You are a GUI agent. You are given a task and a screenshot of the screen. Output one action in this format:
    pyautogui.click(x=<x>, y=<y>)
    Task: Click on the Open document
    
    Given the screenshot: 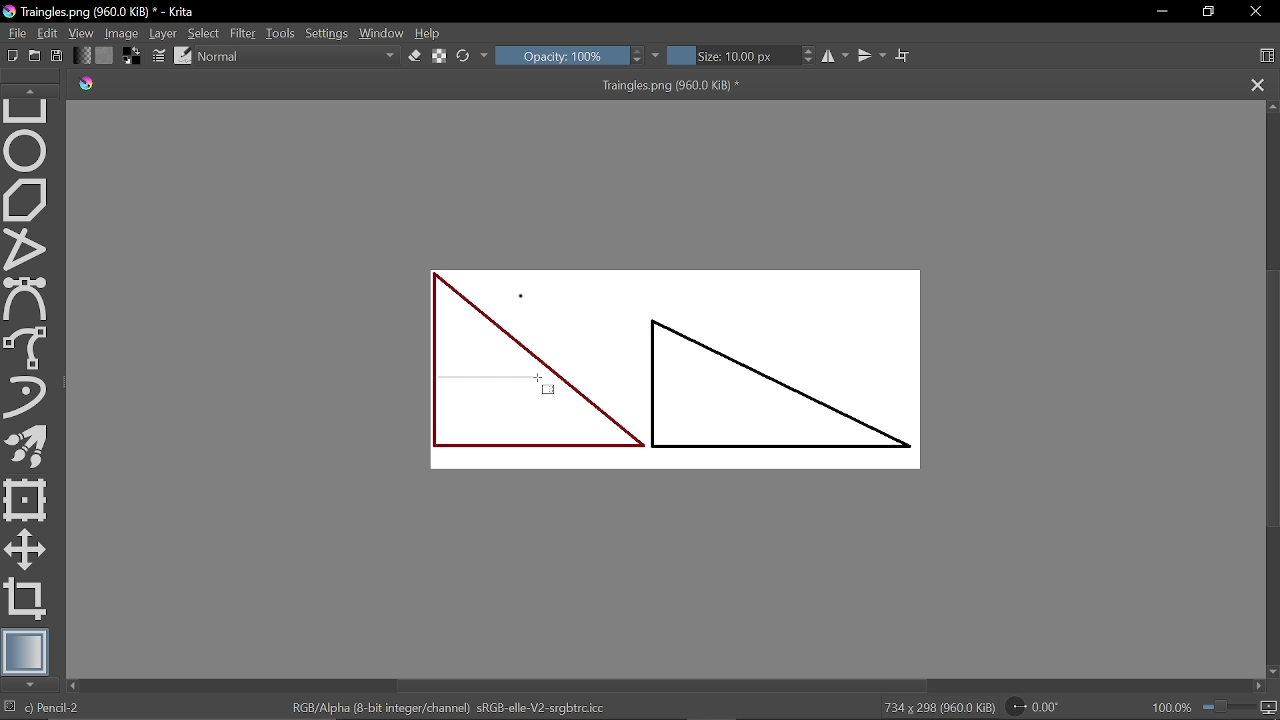 What is the action you would take?
    pyautogui.click(x=37, y=55)
    